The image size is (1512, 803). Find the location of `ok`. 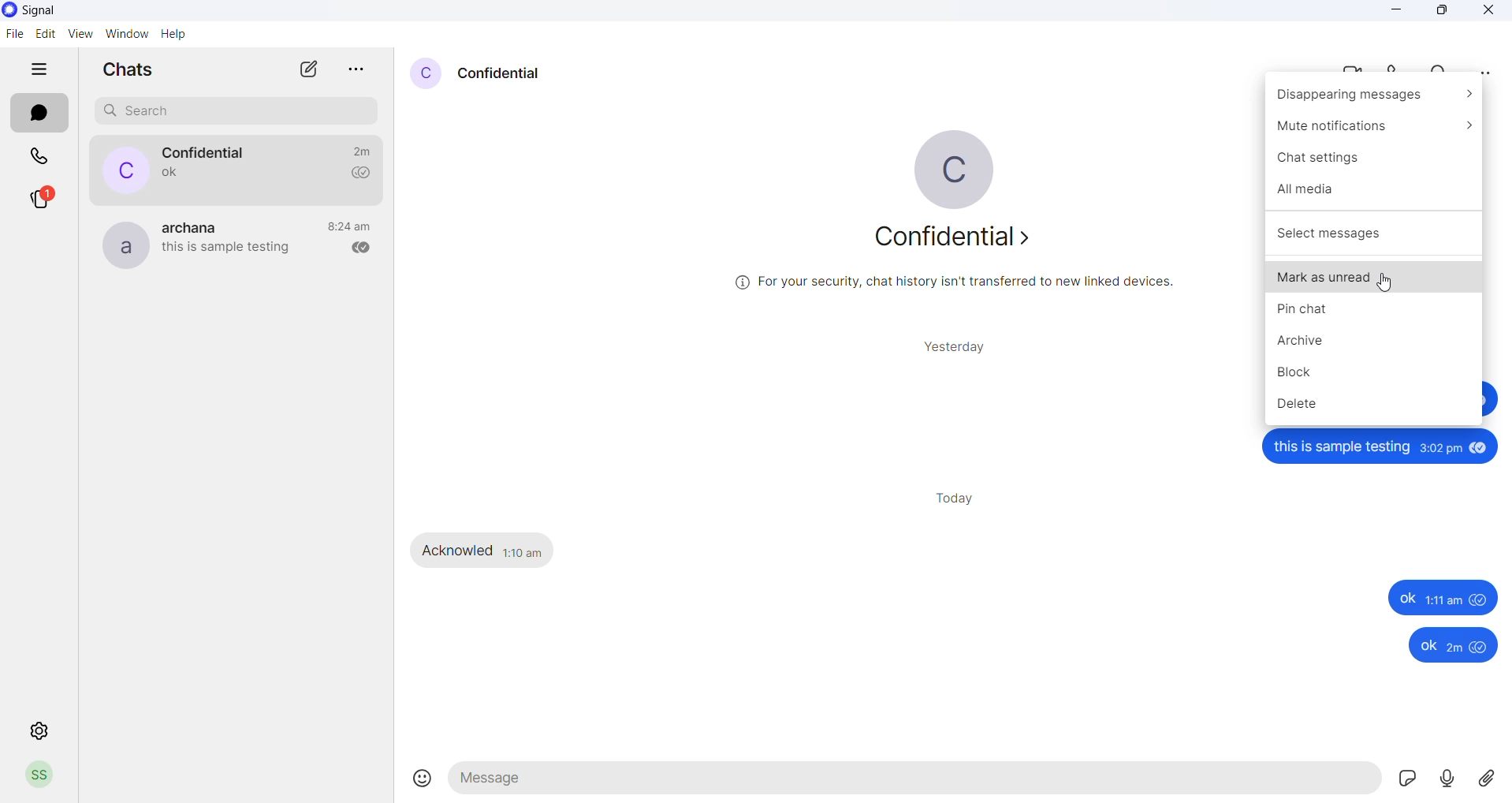

ok is located at coordinates (1427, 599).